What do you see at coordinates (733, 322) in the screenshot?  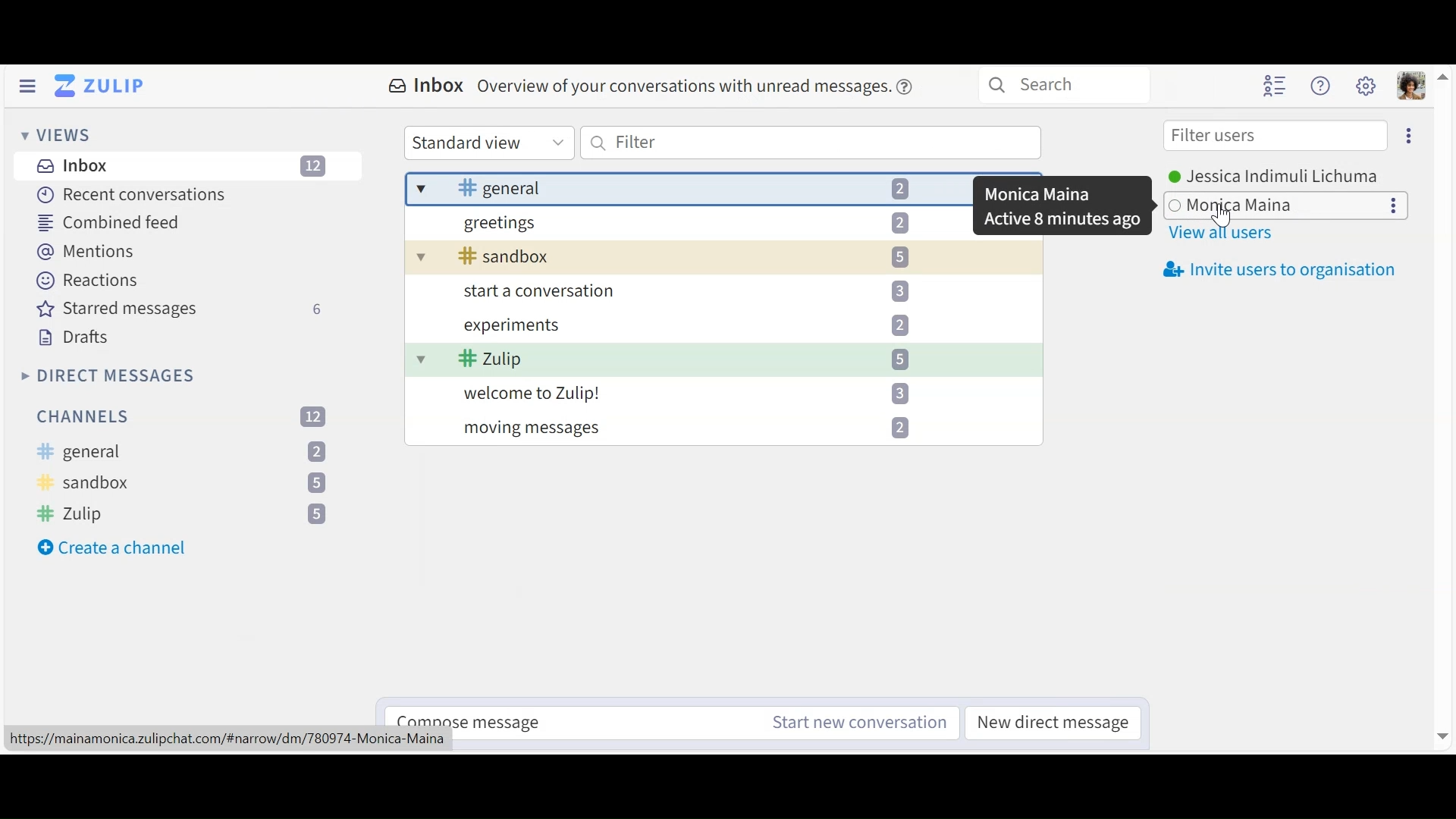 I see `message` at bounding box center [733, 322].